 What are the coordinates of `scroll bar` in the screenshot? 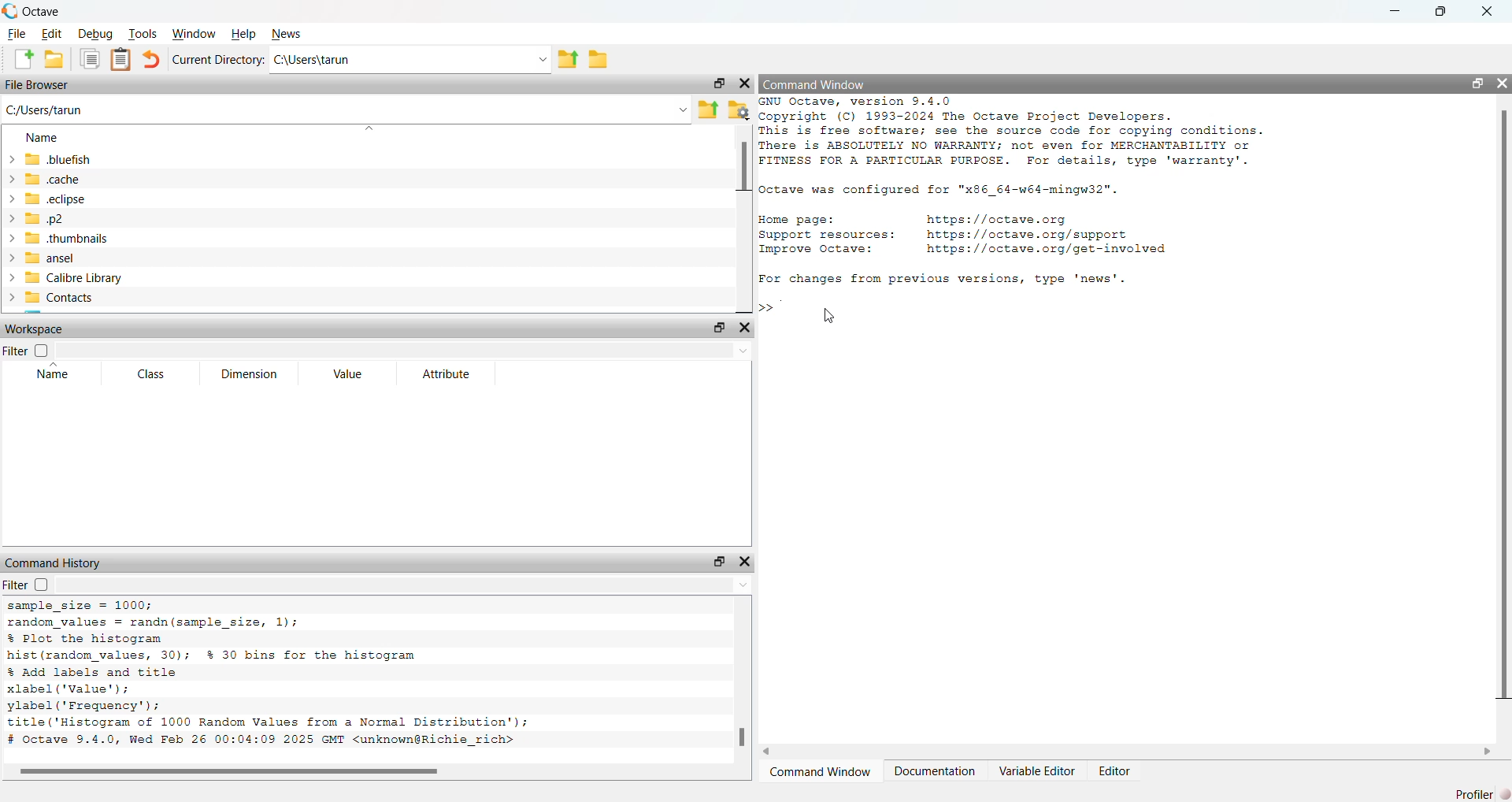 It's located at (743, 737).